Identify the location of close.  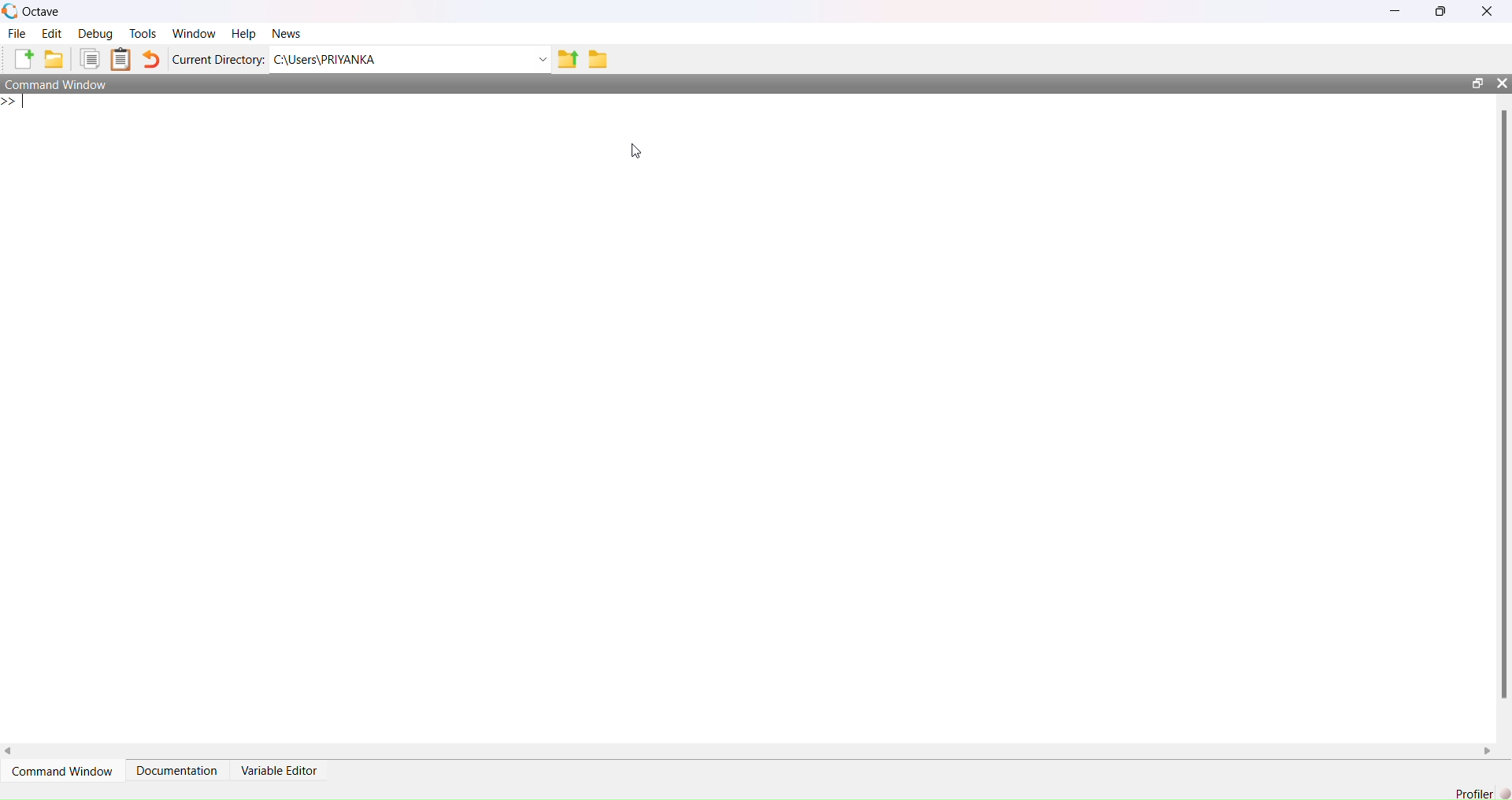
(1488, 11).